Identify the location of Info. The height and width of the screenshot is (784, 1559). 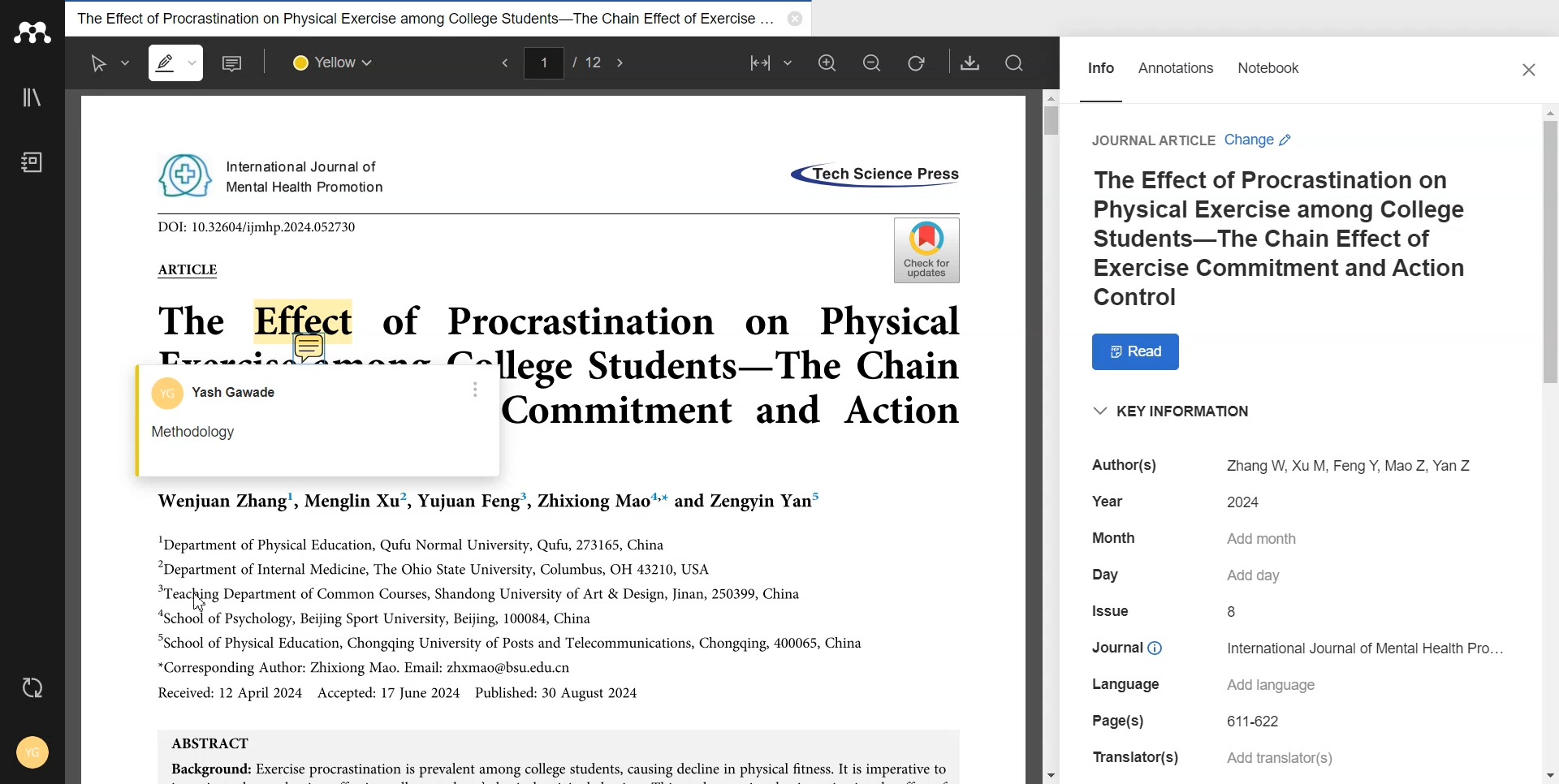
(1101, 72).